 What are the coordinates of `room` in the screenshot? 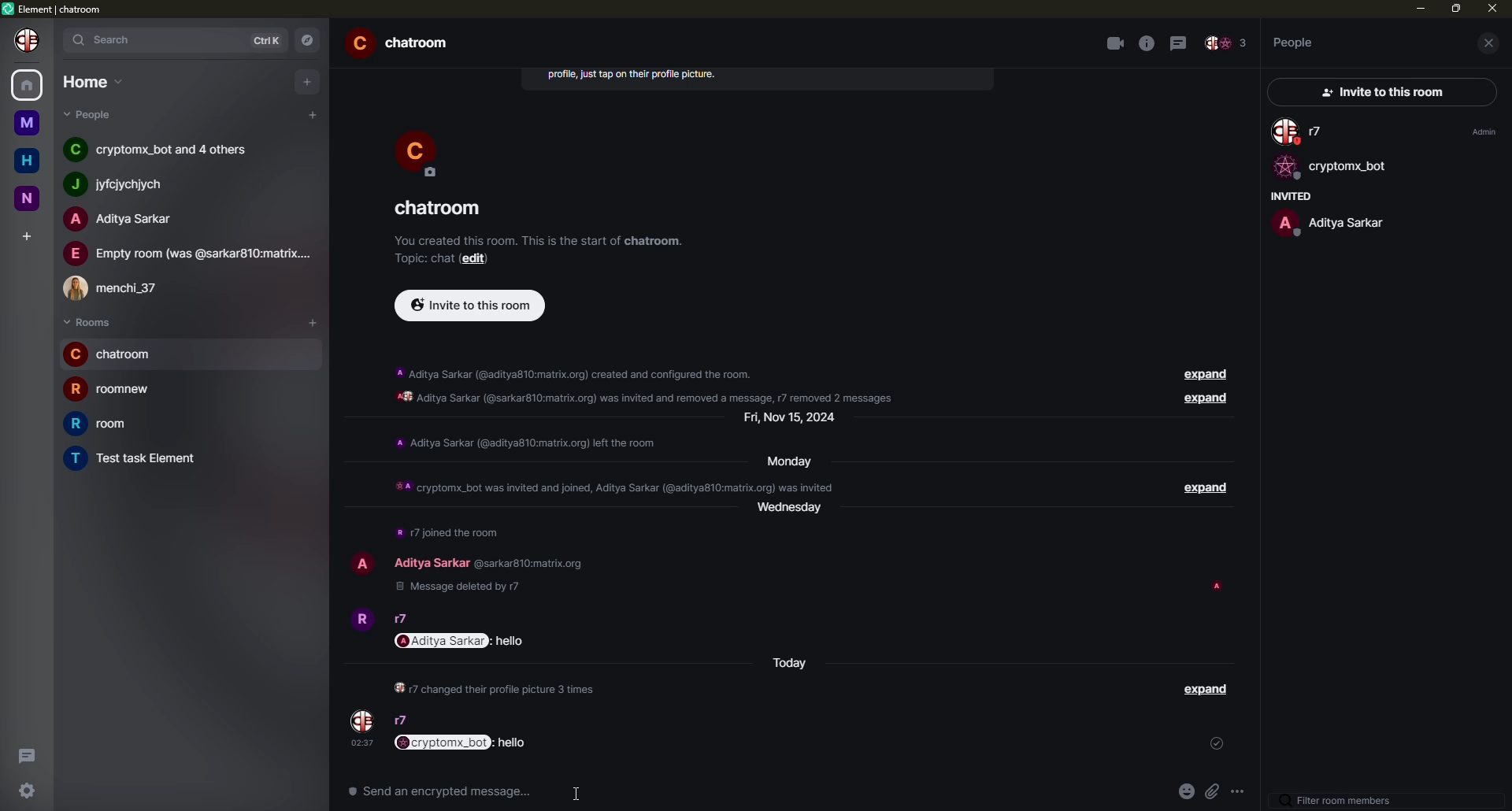 It's located at (112, 387).